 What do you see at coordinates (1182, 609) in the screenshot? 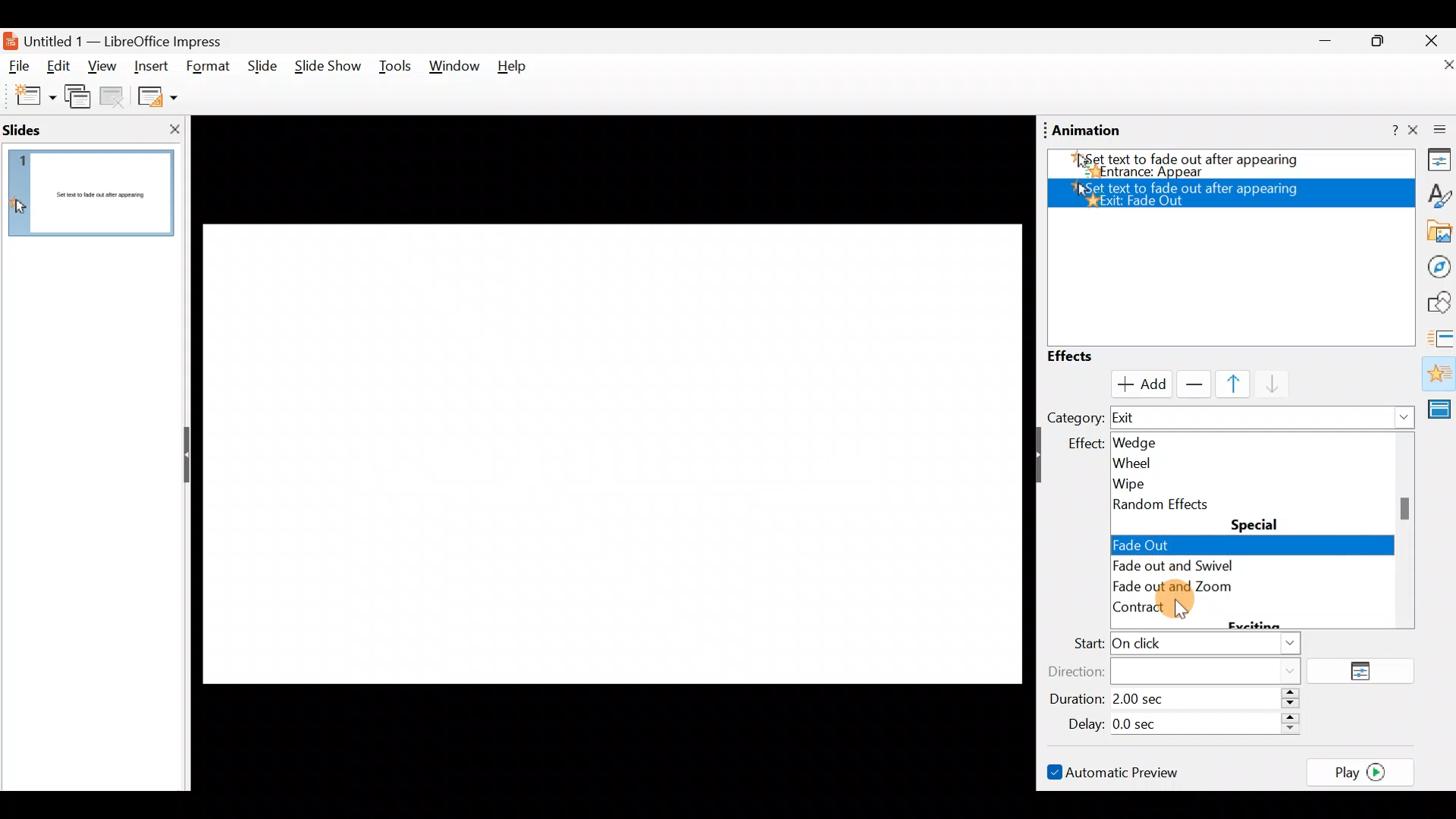
I see `Cursor` at bounding box center [1182, 609].